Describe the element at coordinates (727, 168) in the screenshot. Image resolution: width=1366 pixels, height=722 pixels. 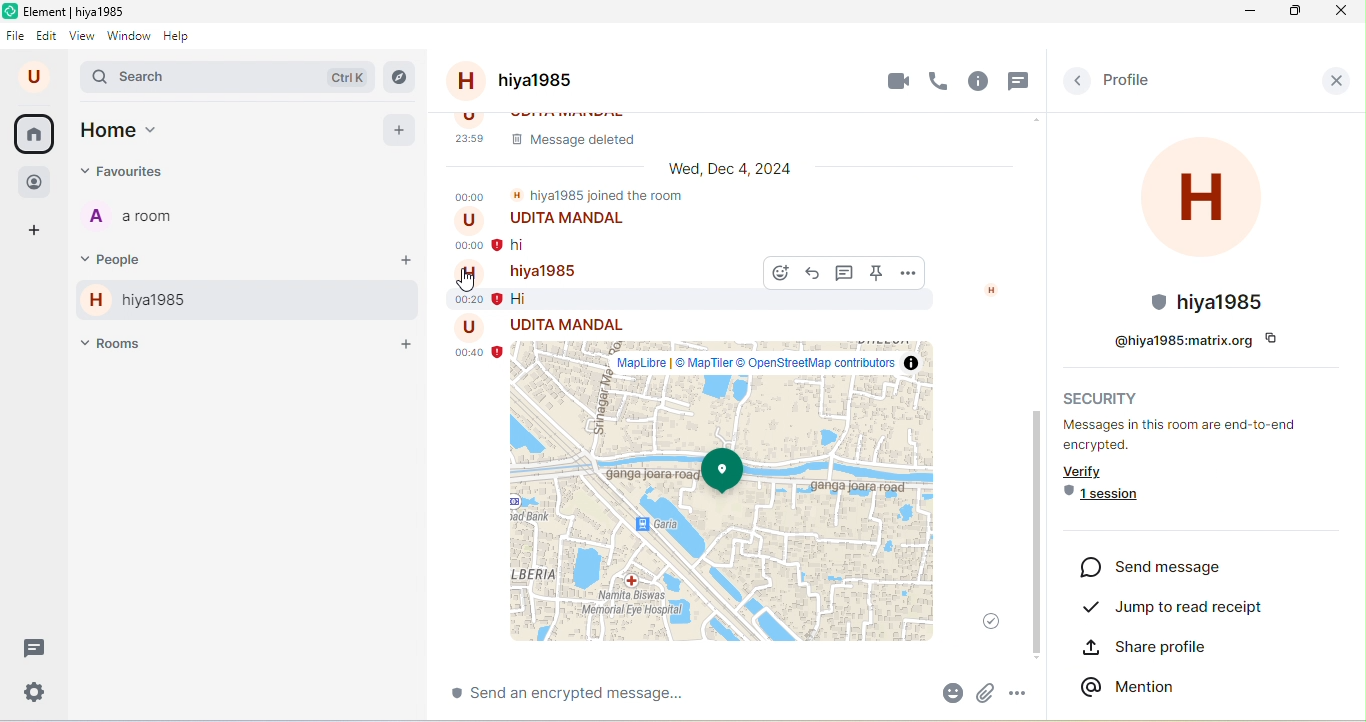
I see `date` at that location.